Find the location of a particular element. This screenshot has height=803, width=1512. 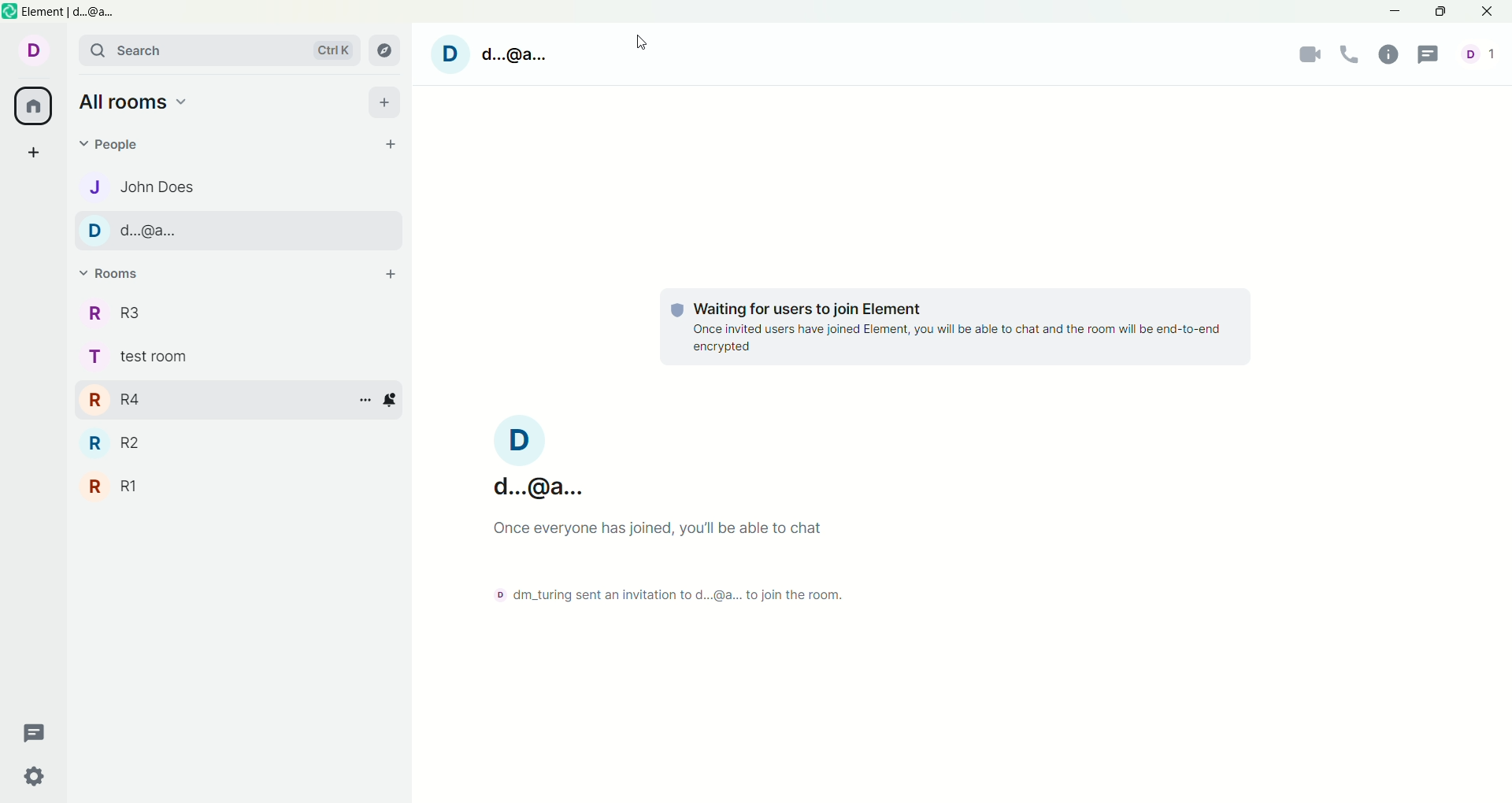

minimize is located at coordinates (1392, 11).